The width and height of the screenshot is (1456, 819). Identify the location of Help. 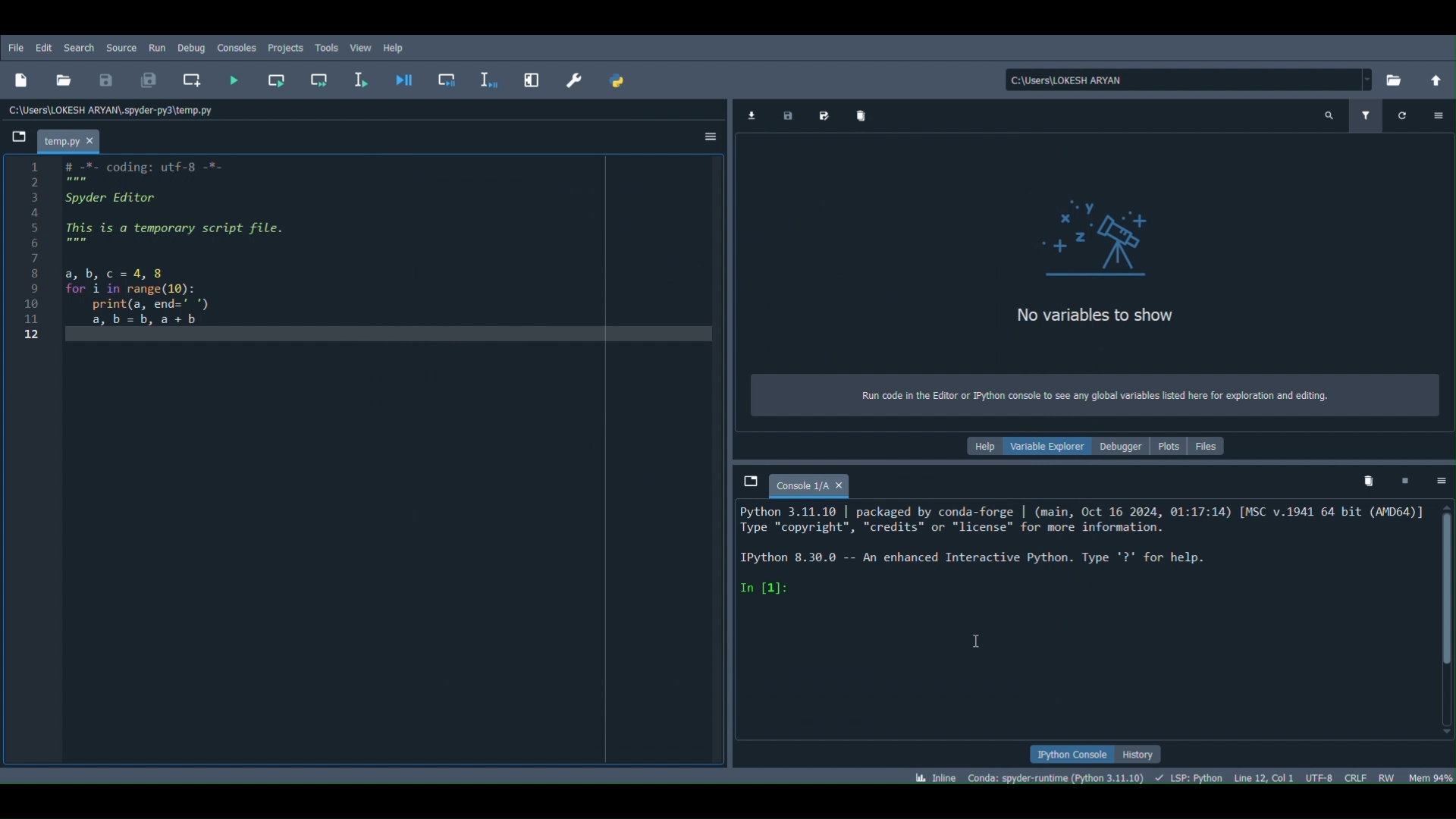
(980, 445).